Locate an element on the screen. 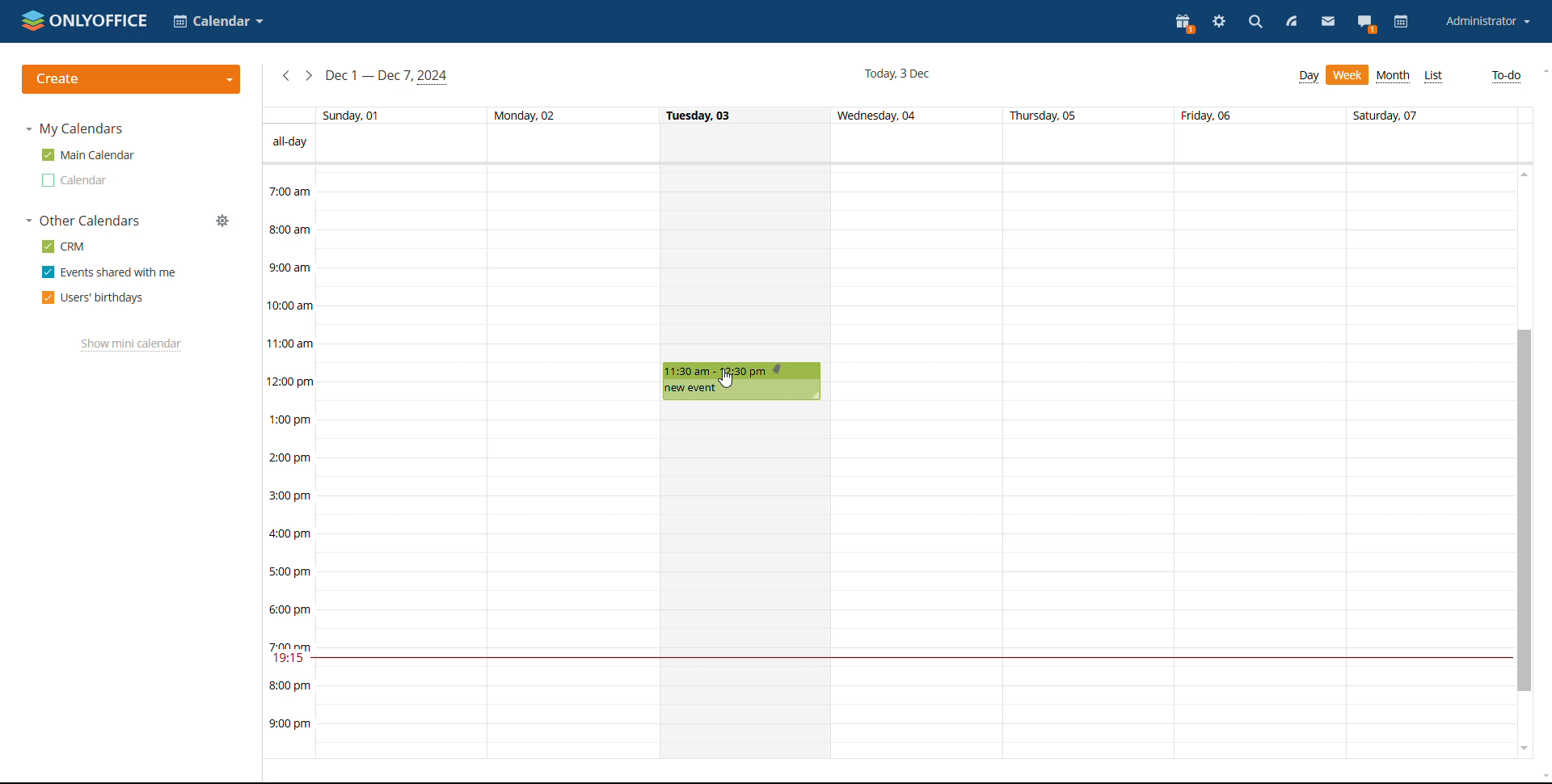  Users' birthdays is located at coordinates (91, 297).